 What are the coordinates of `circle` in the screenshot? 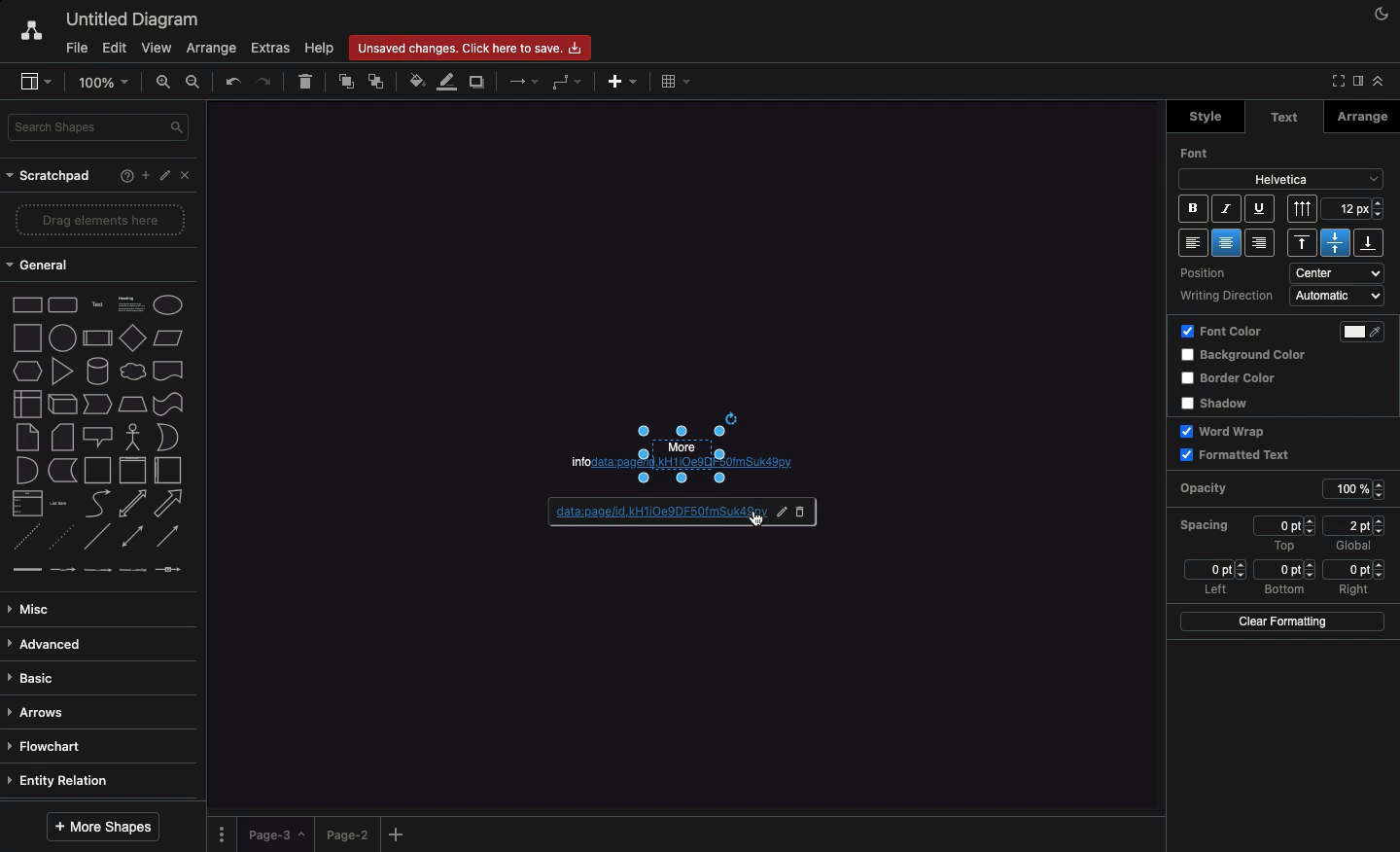 It's located at (62, 337).